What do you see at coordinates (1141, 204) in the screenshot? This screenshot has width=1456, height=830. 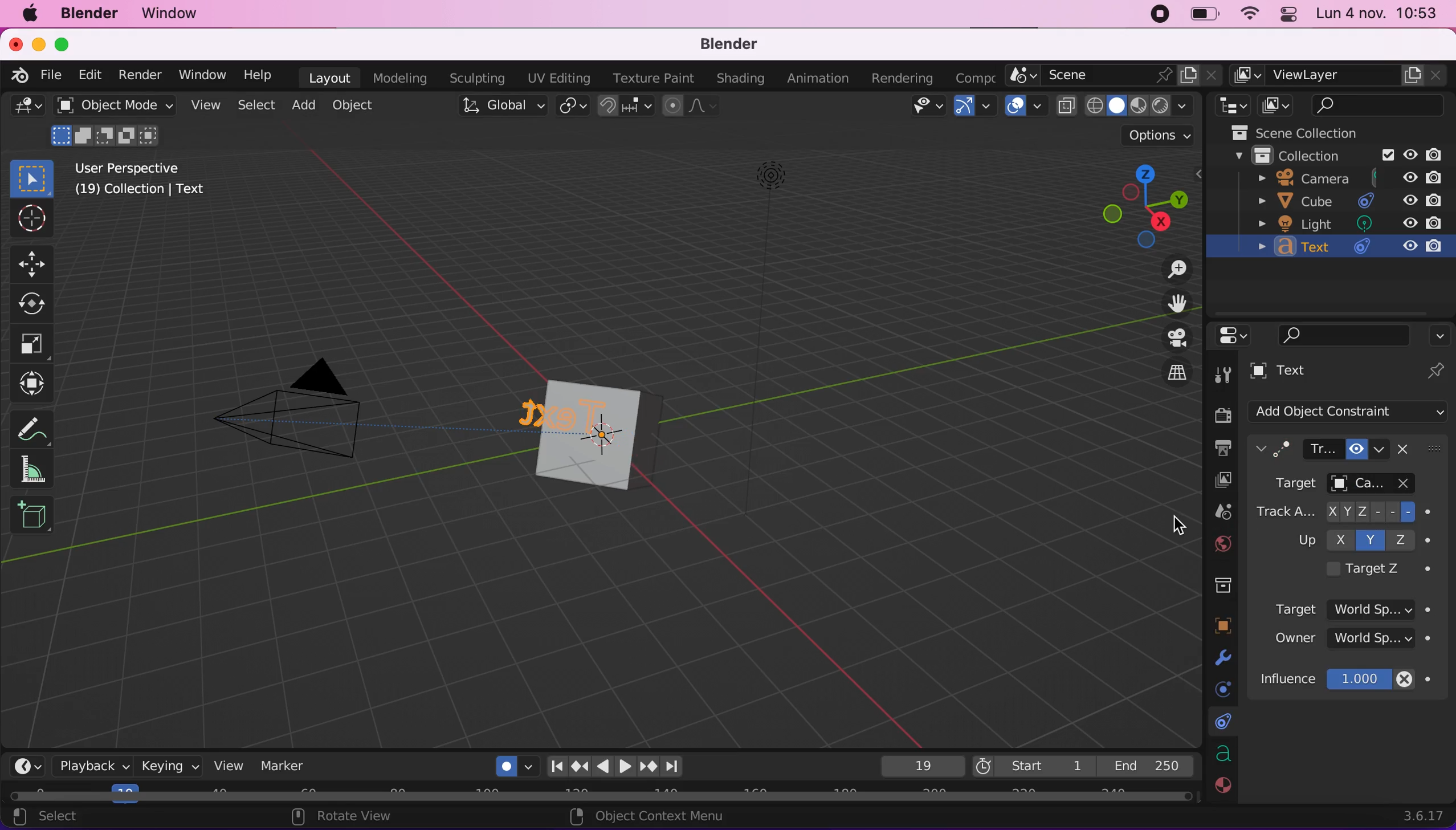 I see `click, shortcut, drag` at bounding box center [1141, 204].